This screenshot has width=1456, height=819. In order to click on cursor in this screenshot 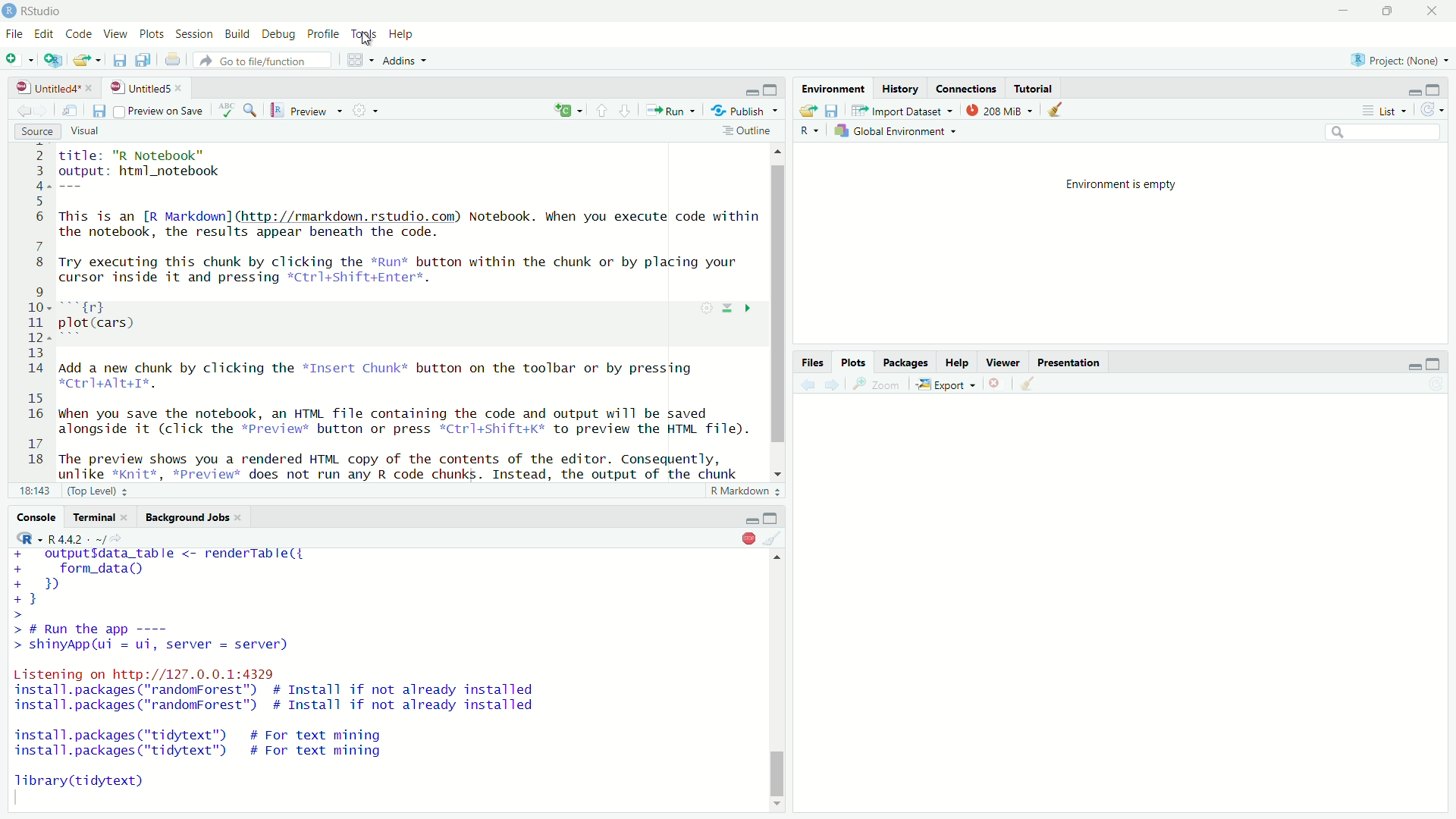, I will do `click(366, 39)`.